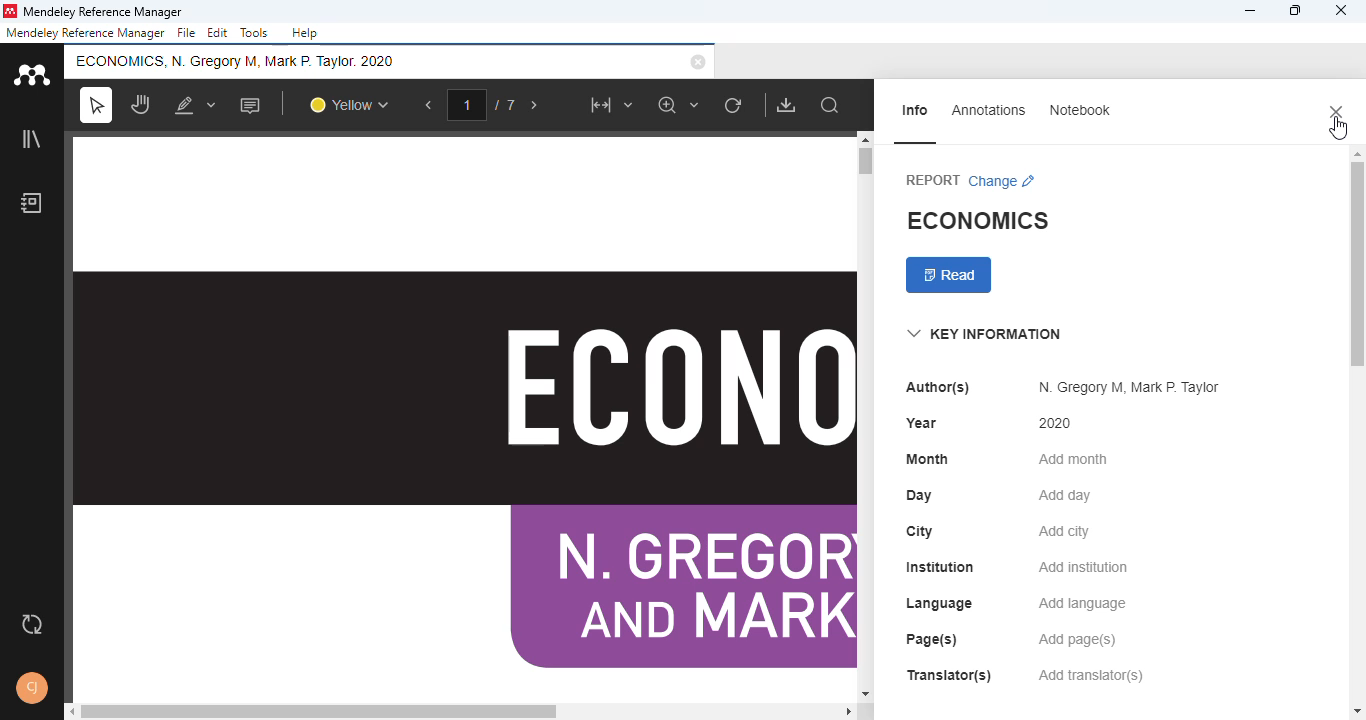 The width and height of the screenshot is (1366, 720). Describe the element at coordinates (922, 531) in the screenshot. I see `city` at that location.